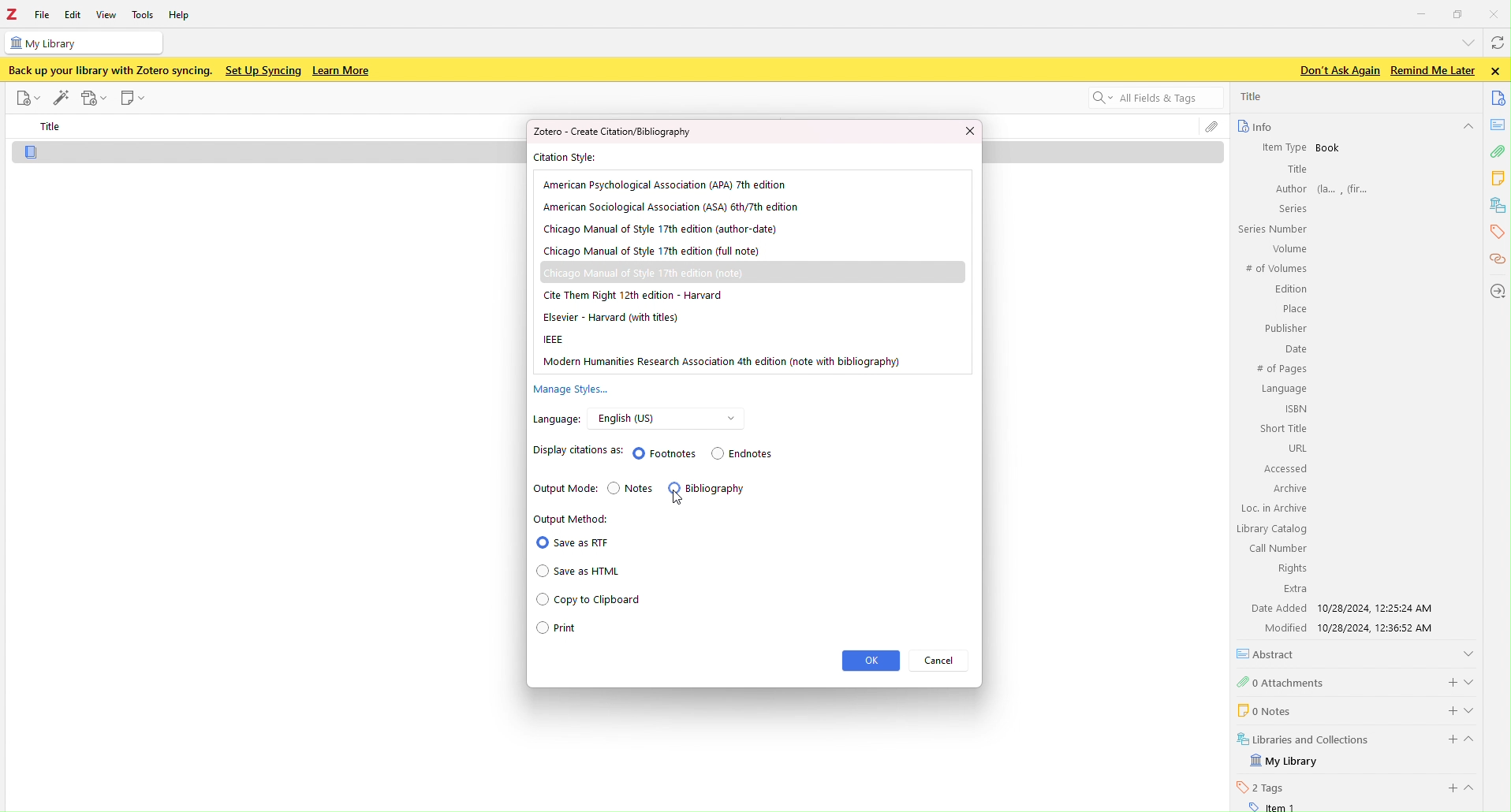 This screenshot has width=1511, height=812. Describe the element at coordinates (560, 419) in the screenshot. I see `language` at that location.